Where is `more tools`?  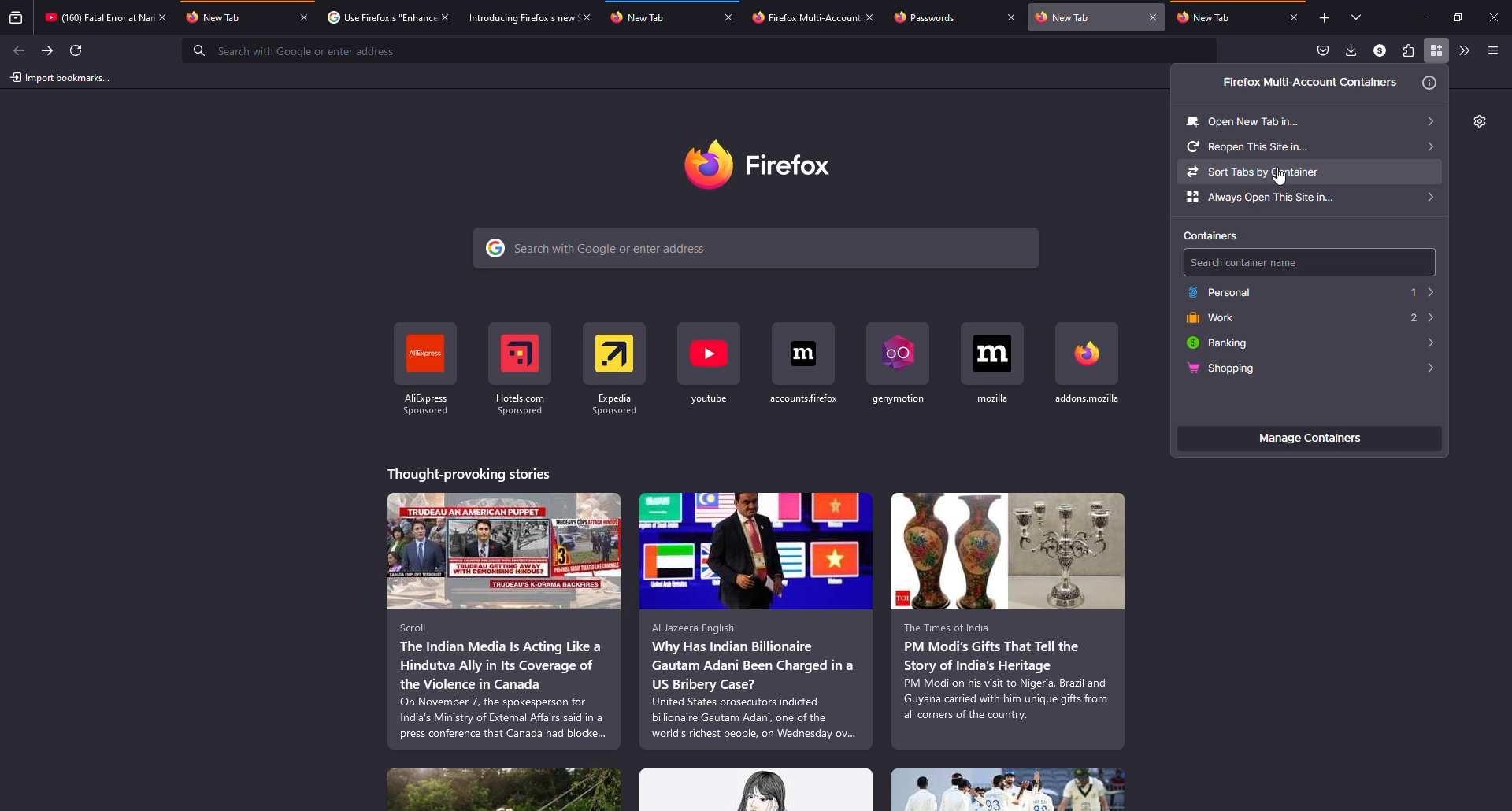 more tools is located at coordinates (1462, 50).